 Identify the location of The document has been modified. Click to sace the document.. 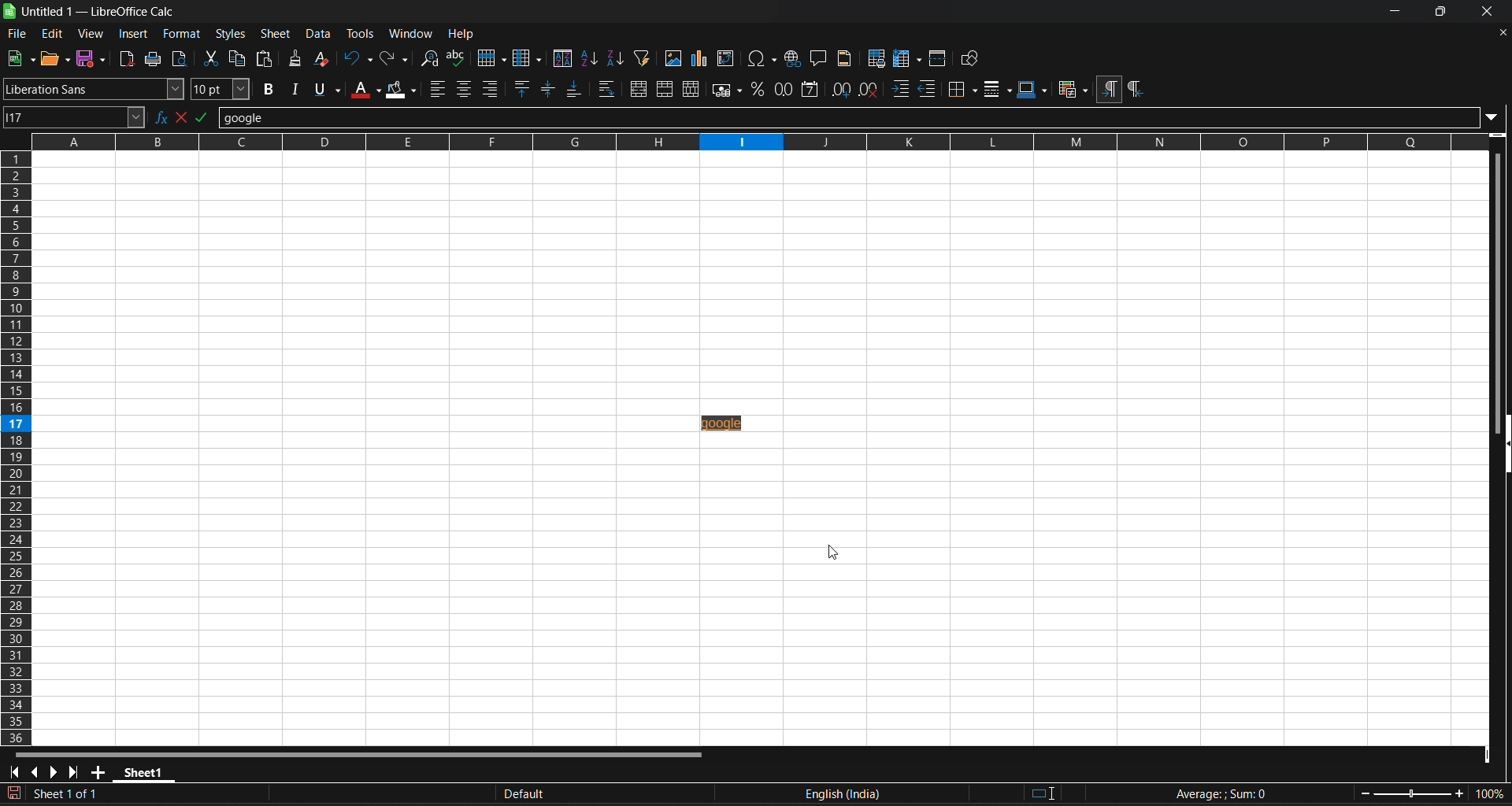
(250, 795).